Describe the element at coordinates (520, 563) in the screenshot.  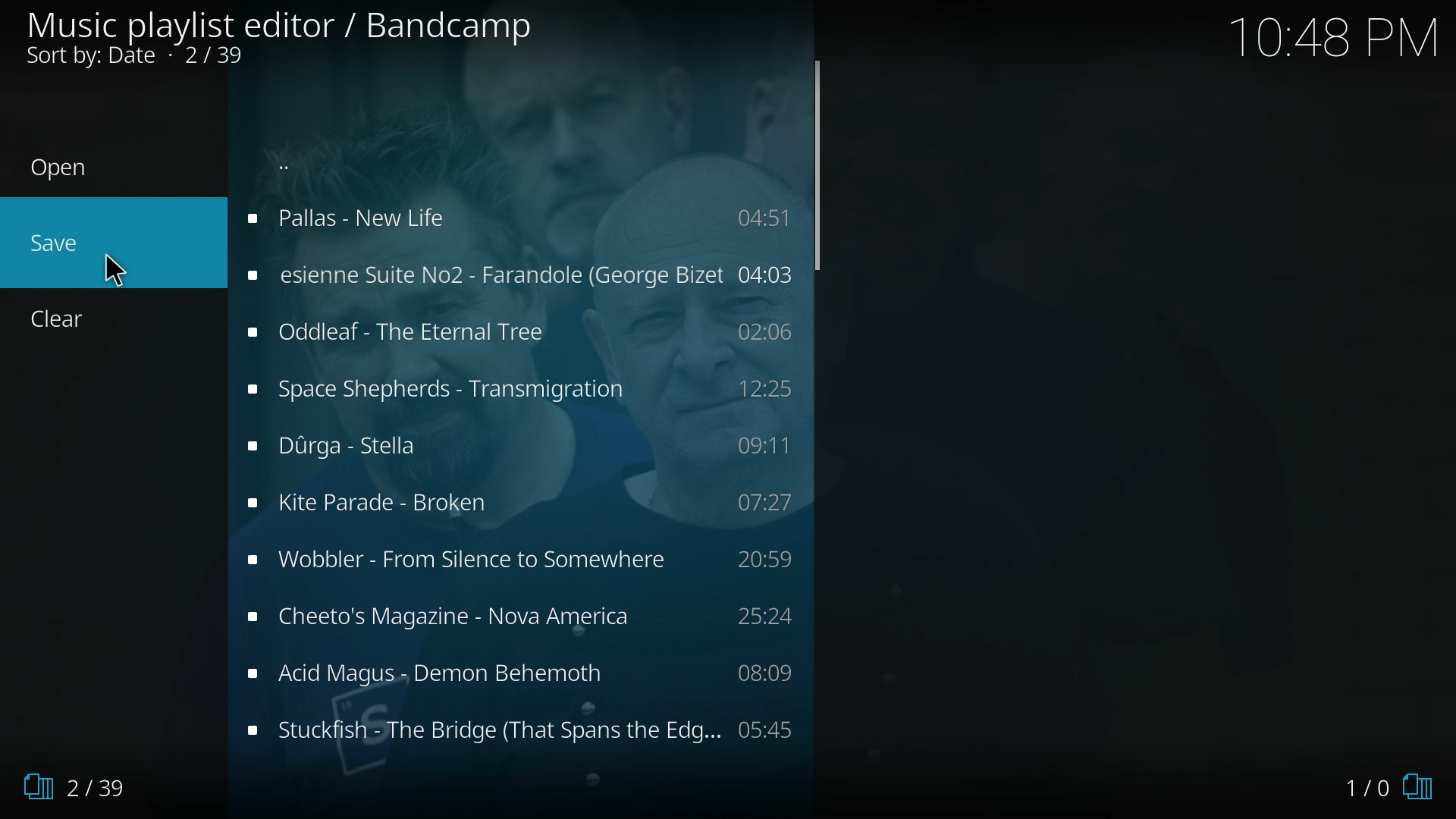
I see `song` at that location.